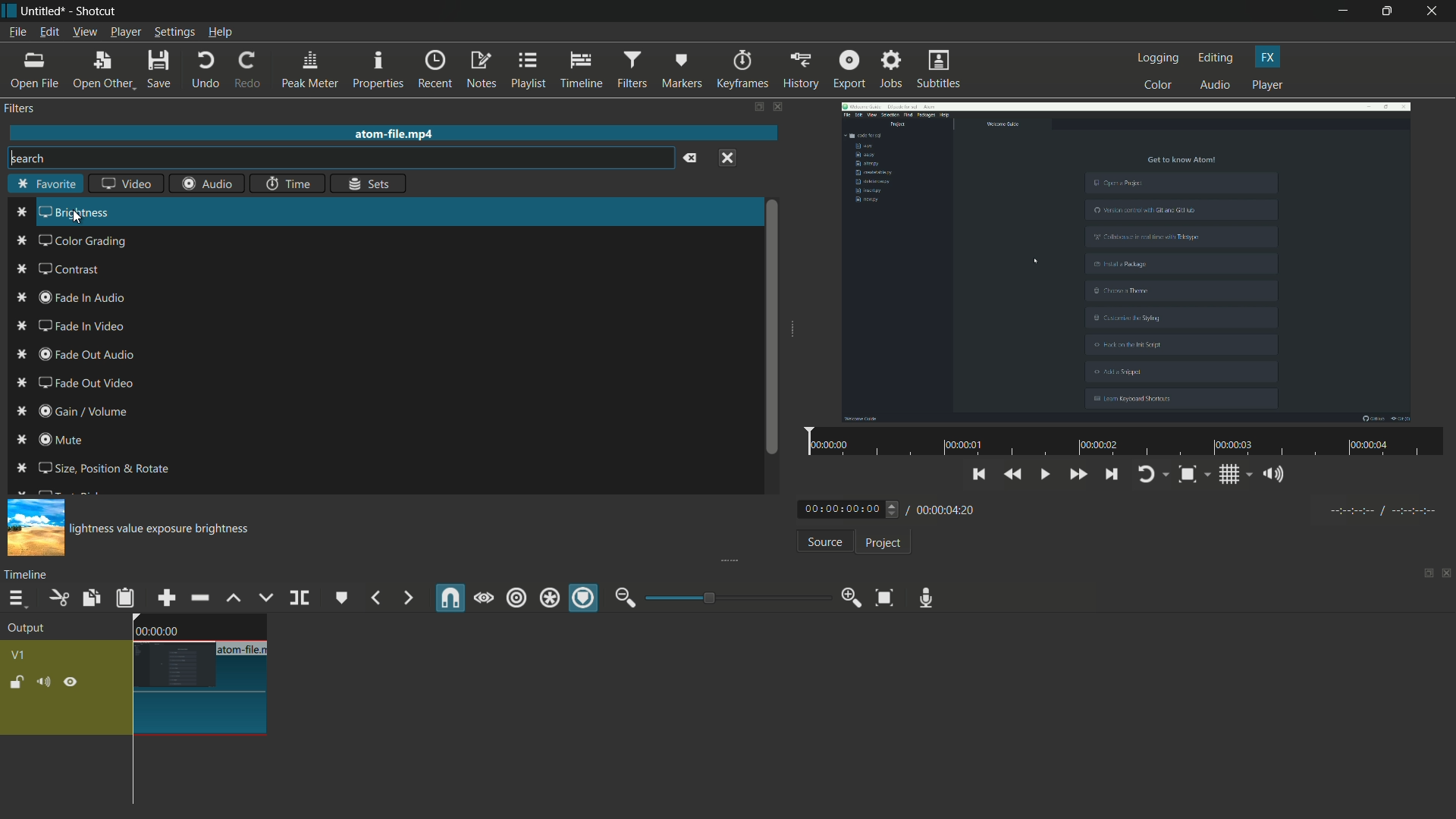 The height and width of the screenshot is (819, 1456). I want to click on mute, so click(54, 441).